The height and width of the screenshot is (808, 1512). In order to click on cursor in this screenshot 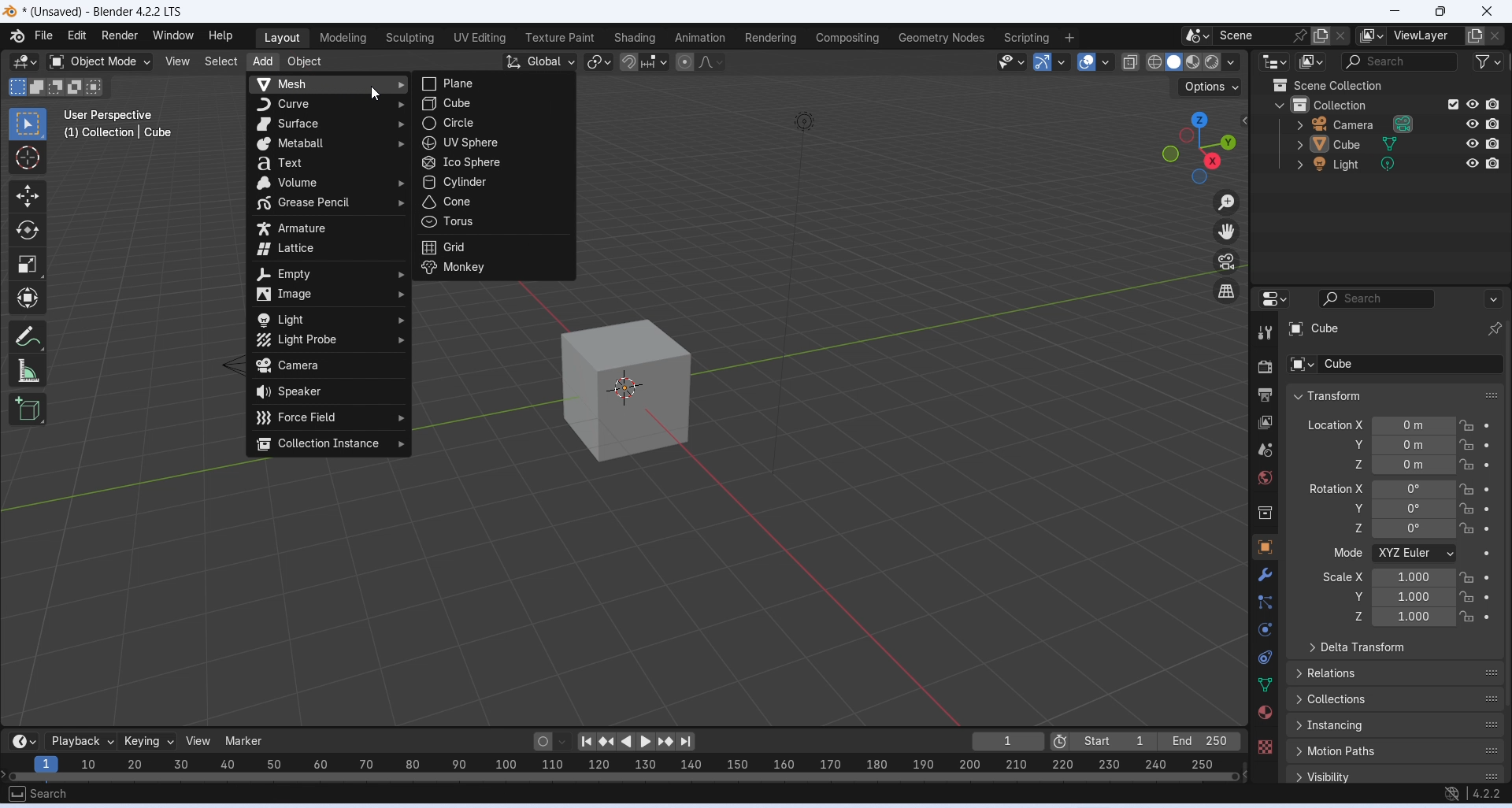, I will do `click(375, 93)`.